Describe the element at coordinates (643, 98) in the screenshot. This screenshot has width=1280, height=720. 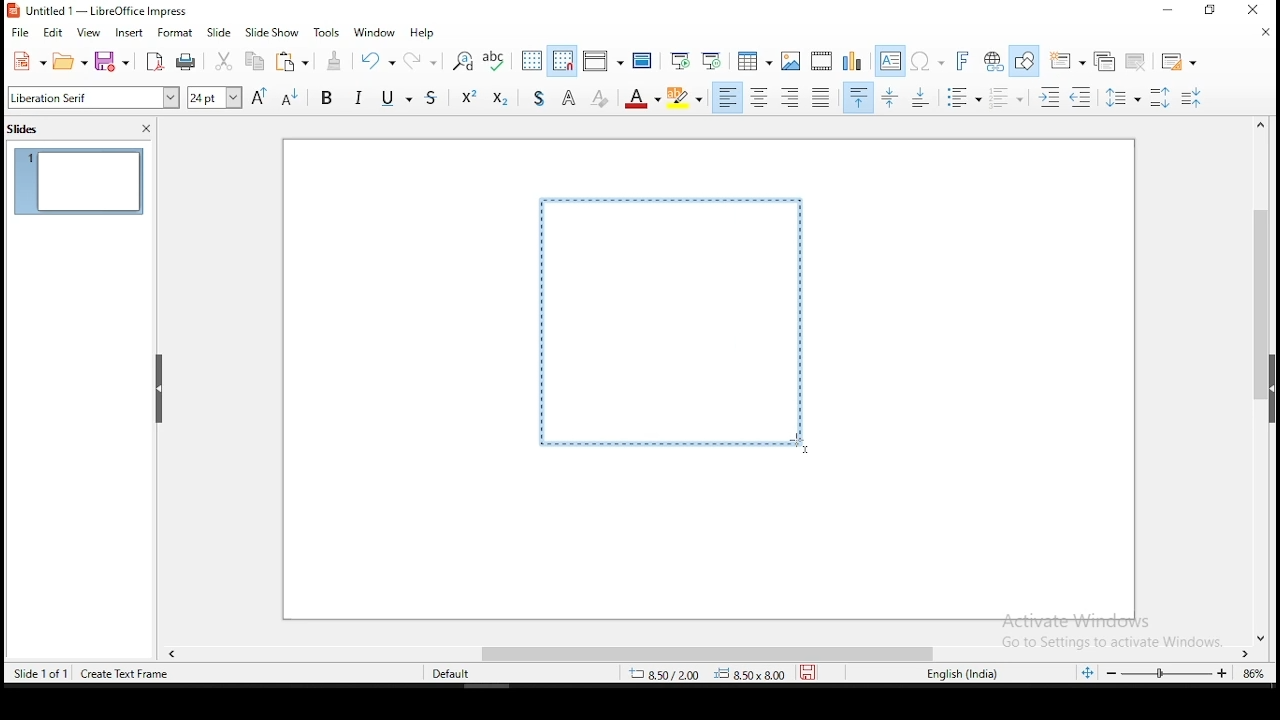
I see `font color` at that location.